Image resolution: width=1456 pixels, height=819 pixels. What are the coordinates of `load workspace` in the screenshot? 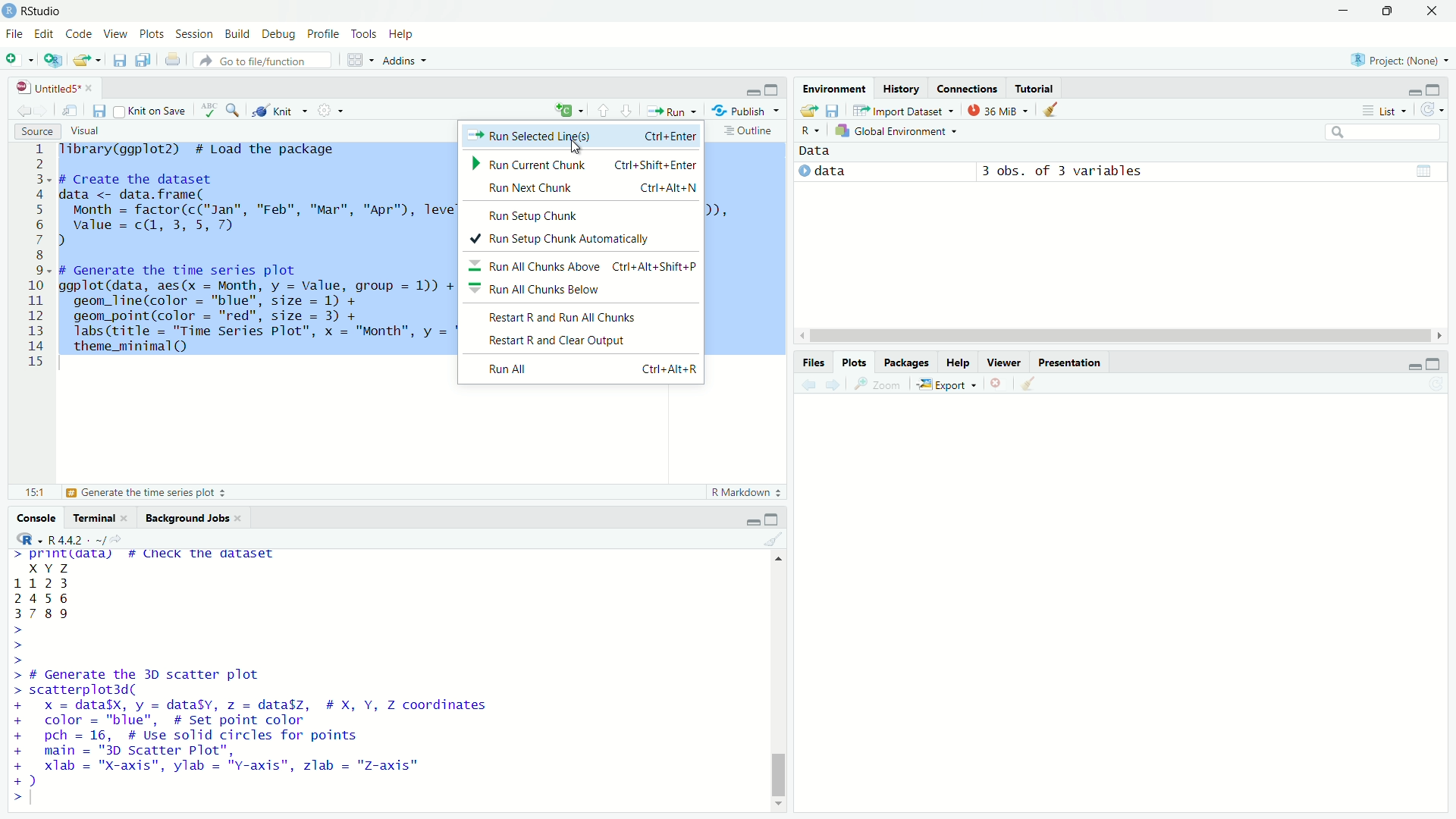 It's located at (808, 111).